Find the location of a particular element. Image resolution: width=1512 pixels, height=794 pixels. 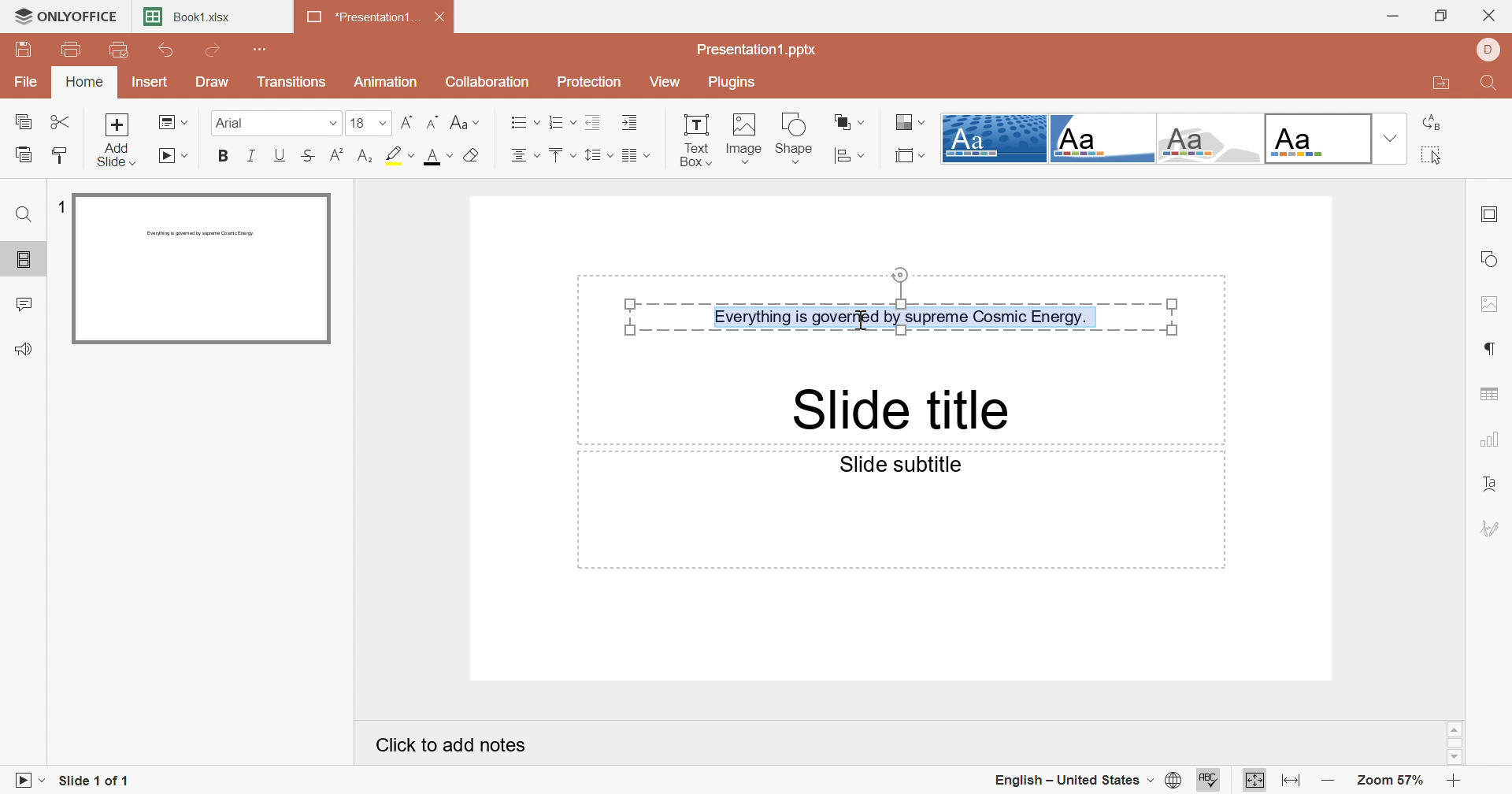

Text Box is located at coordinates (695, 139).